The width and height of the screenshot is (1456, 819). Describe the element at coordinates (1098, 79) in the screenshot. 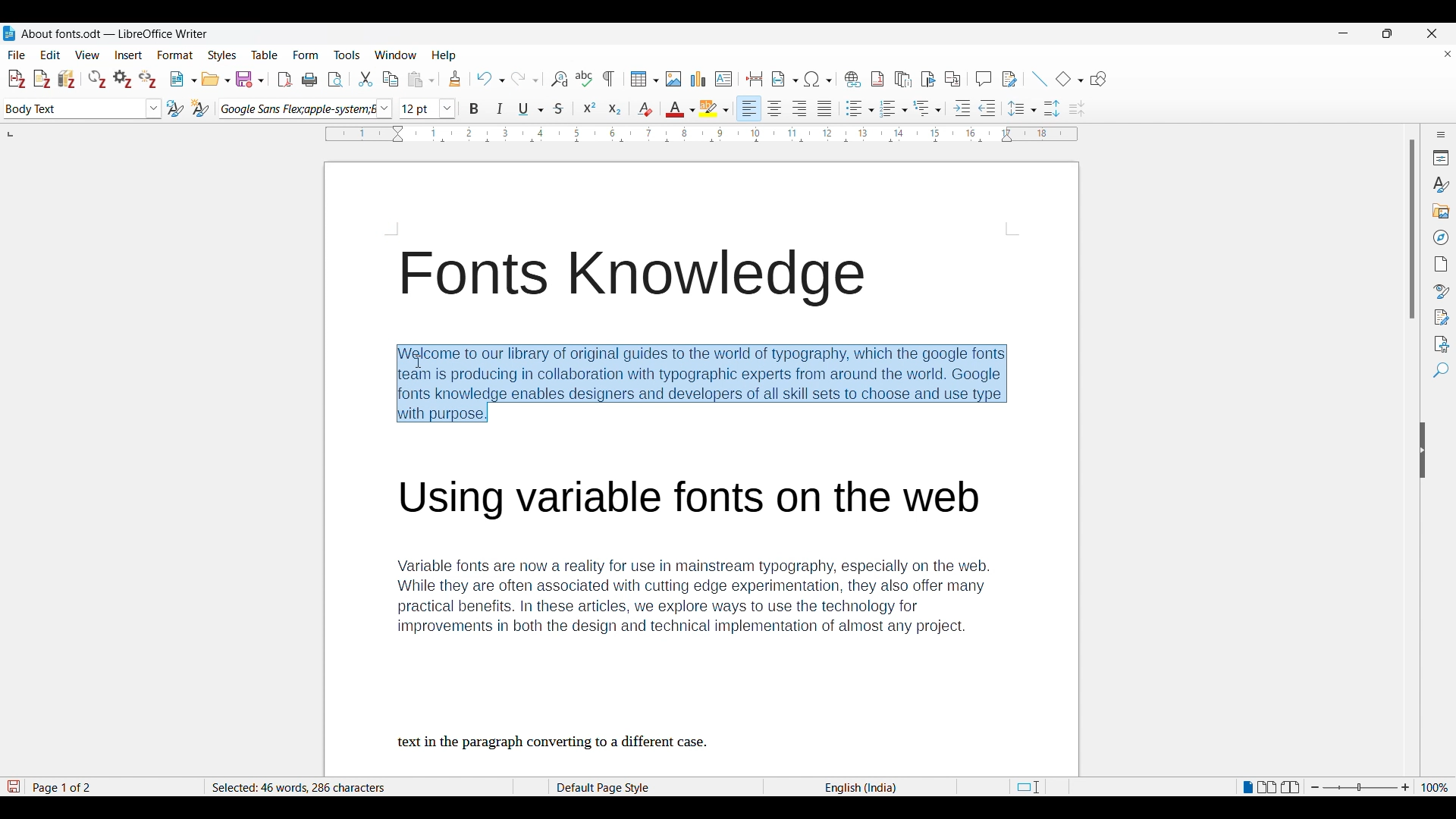

I see `Show draw functions` at that location.